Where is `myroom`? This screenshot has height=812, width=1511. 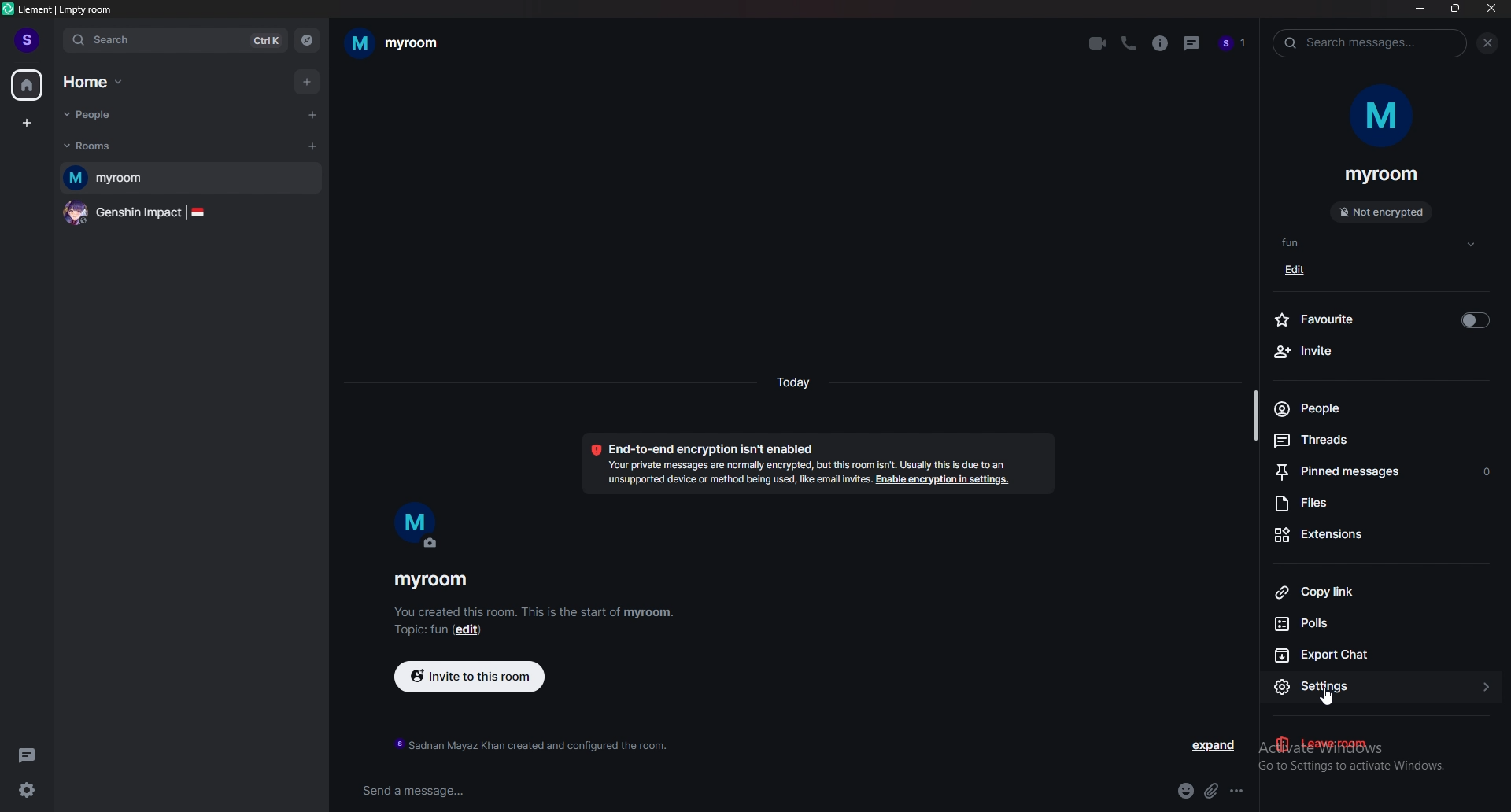 myroom is located at coordinates (434, 581).